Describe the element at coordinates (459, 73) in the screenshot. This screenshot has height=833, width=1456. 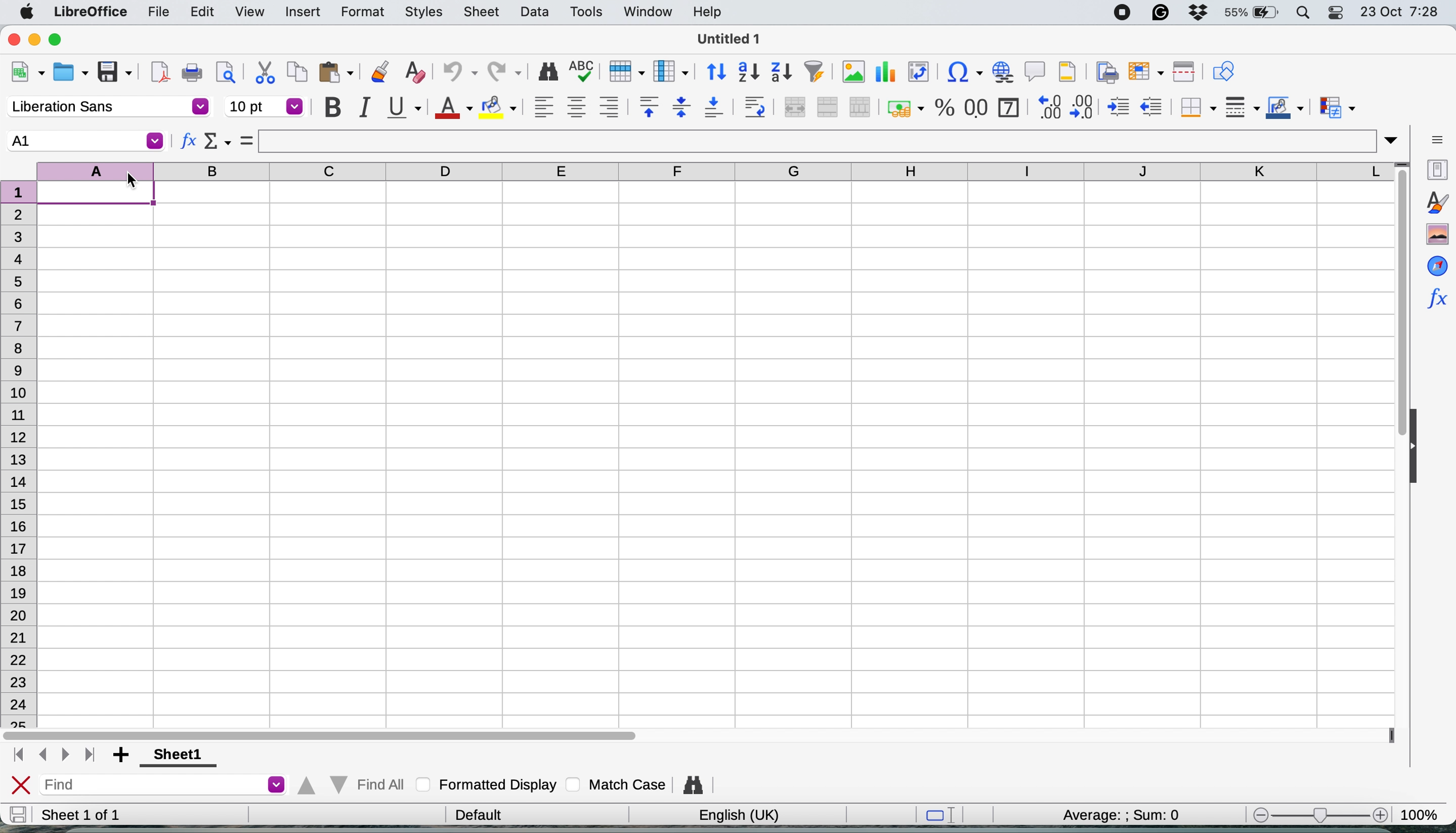
I see `undo` at that location.